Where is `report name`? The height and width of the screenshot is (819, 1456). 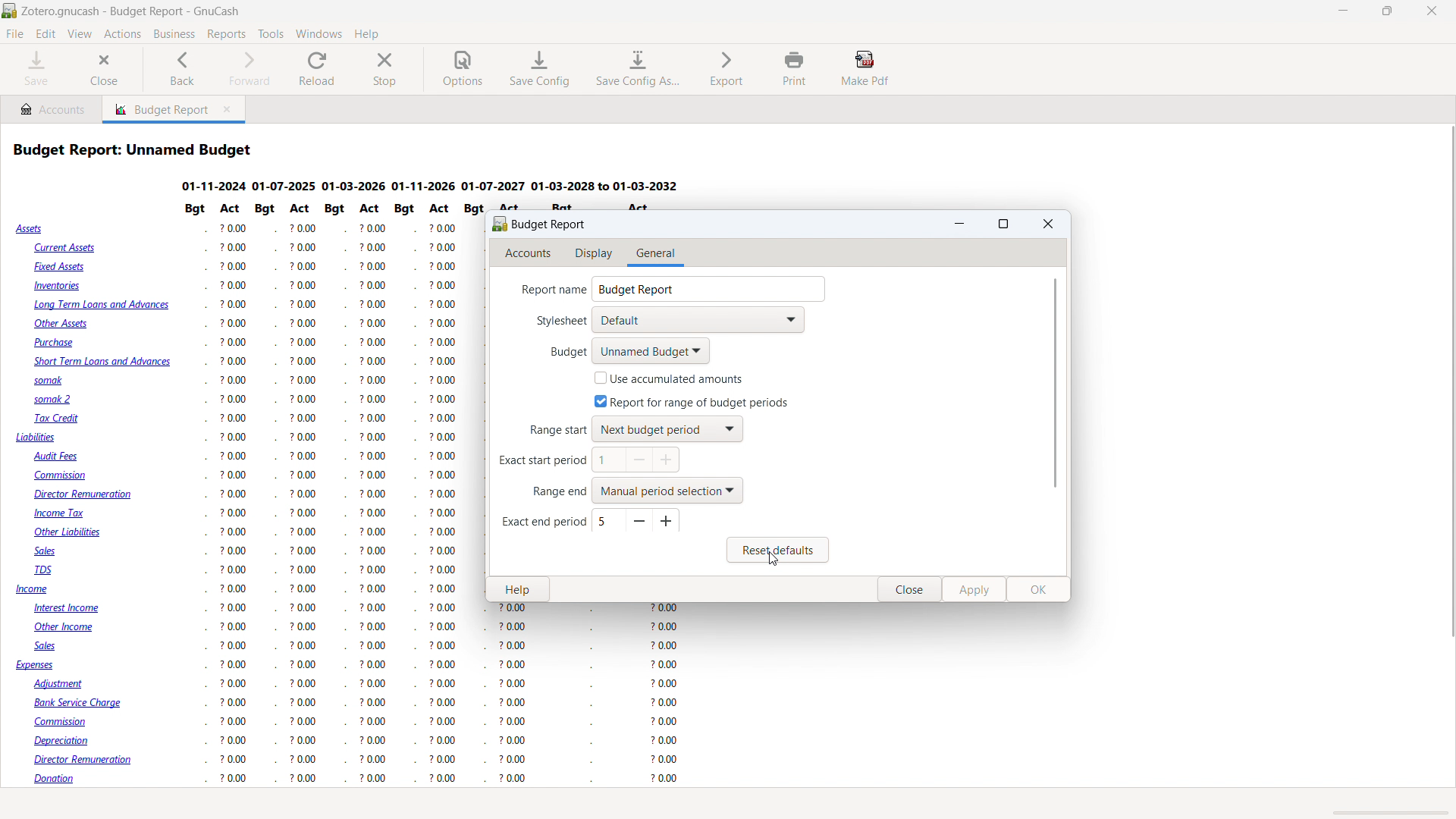 report name is located at coordinates (708, 289).